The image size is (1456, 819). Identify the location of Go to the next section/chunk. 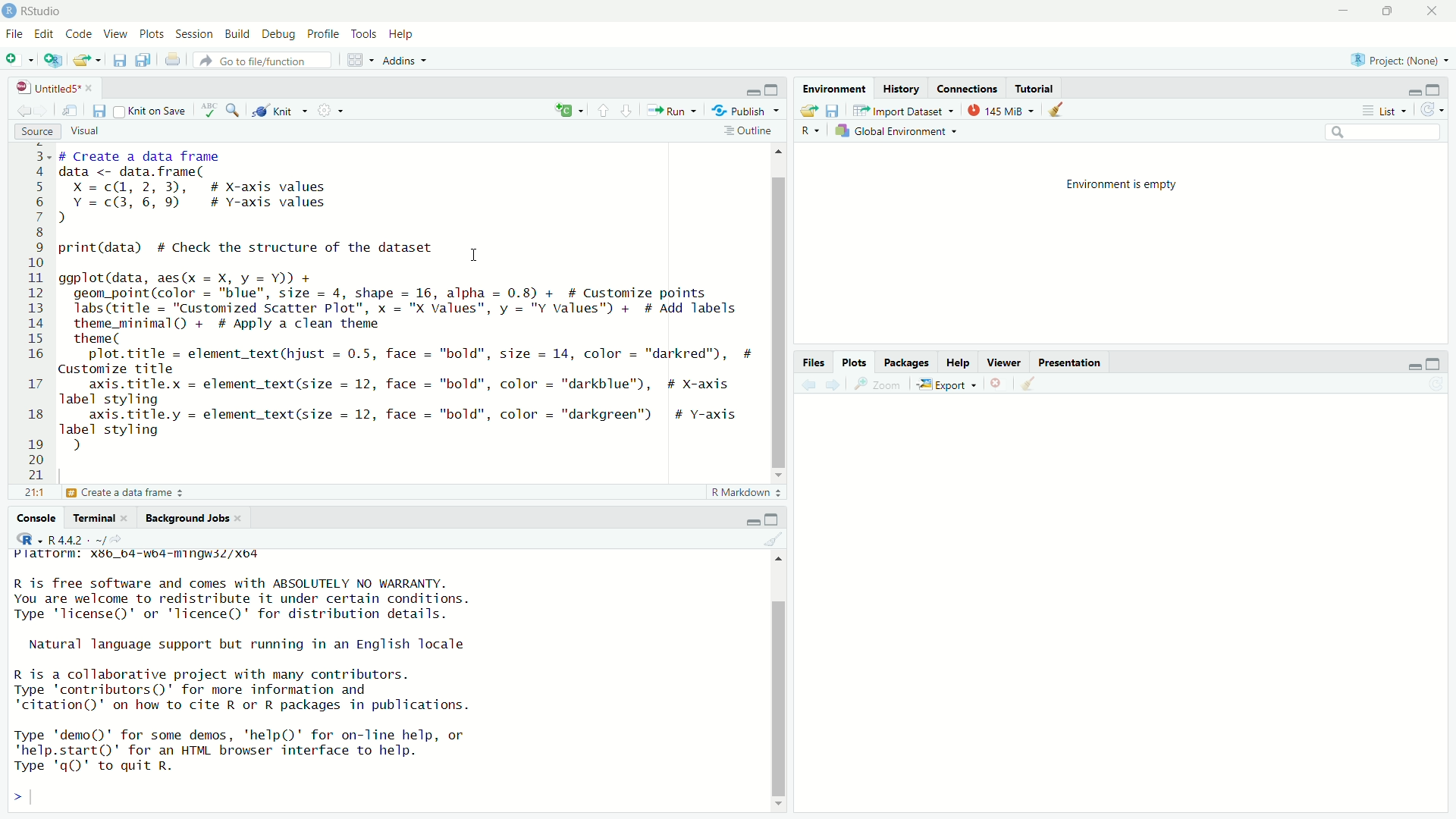
(626, 110).